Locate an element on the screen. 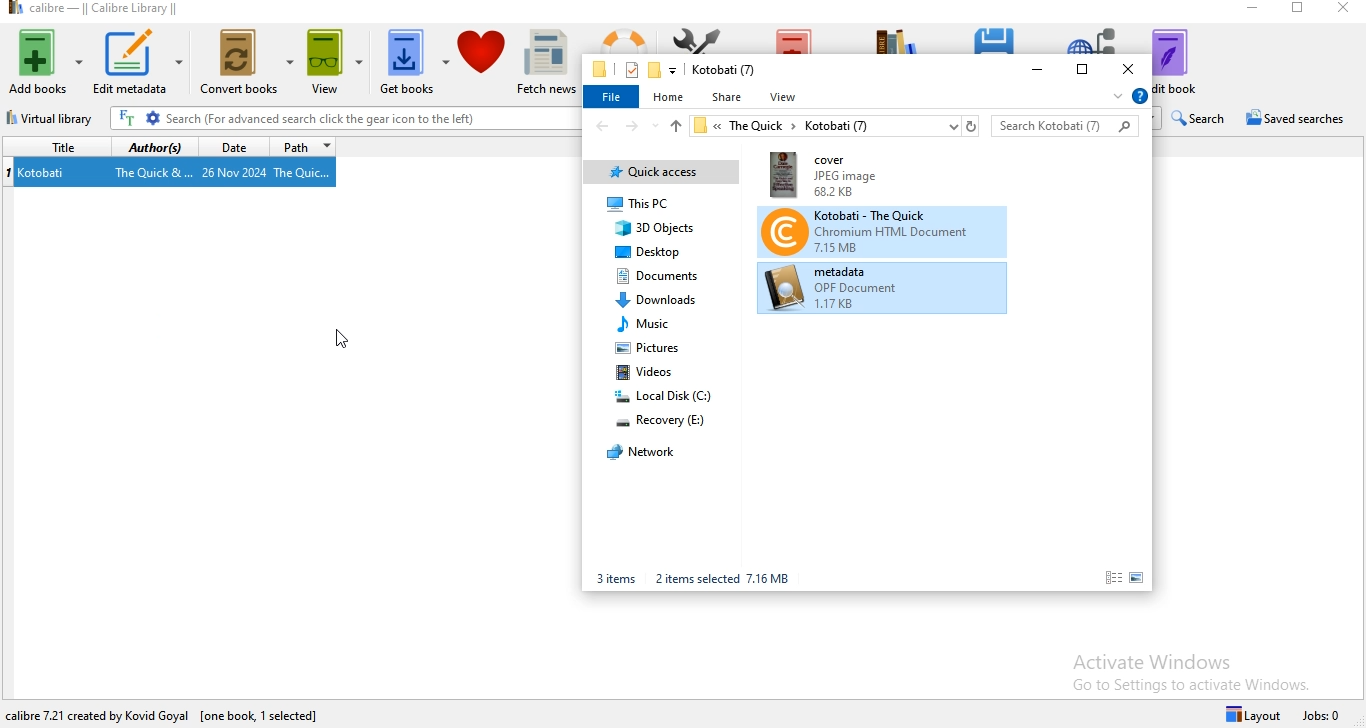  downloads is located at coordinates (659, 301).